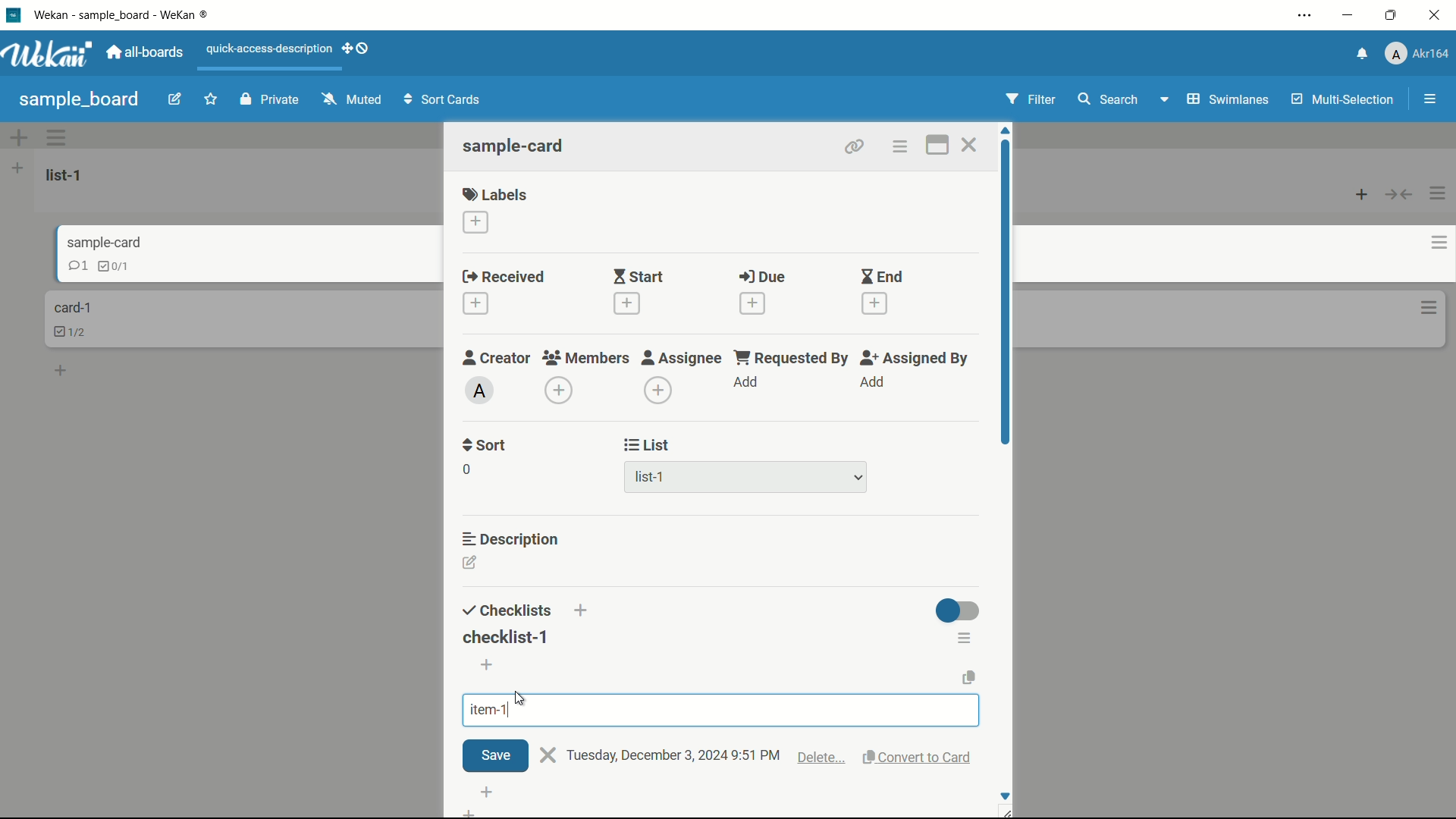  Describe the element at coordinates (822, 760) in the screenshot. I see `delete` at that location.